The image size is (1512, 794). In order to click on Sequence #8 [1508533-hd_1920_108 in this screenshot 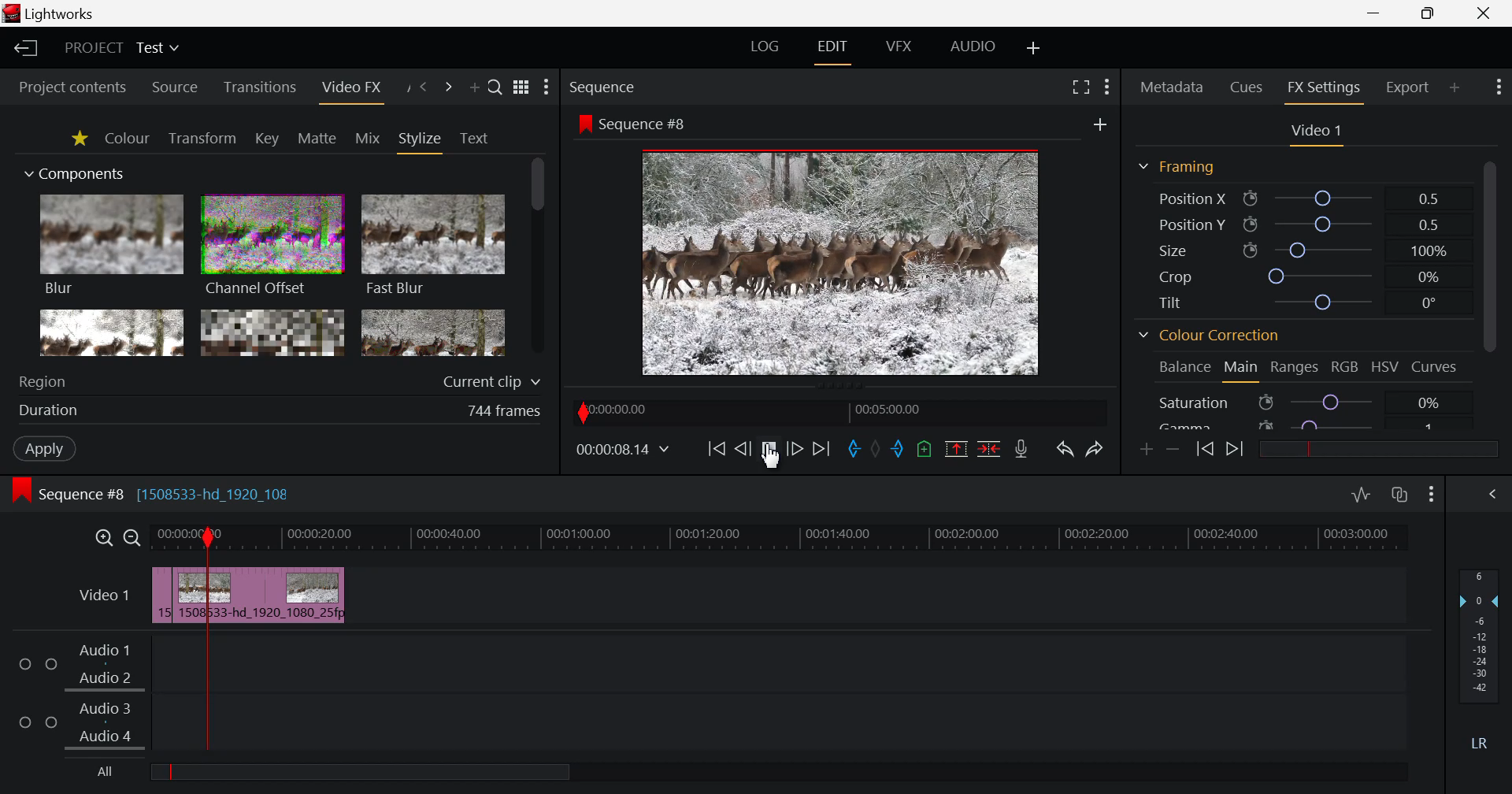, I will do `click(179, 492)`.